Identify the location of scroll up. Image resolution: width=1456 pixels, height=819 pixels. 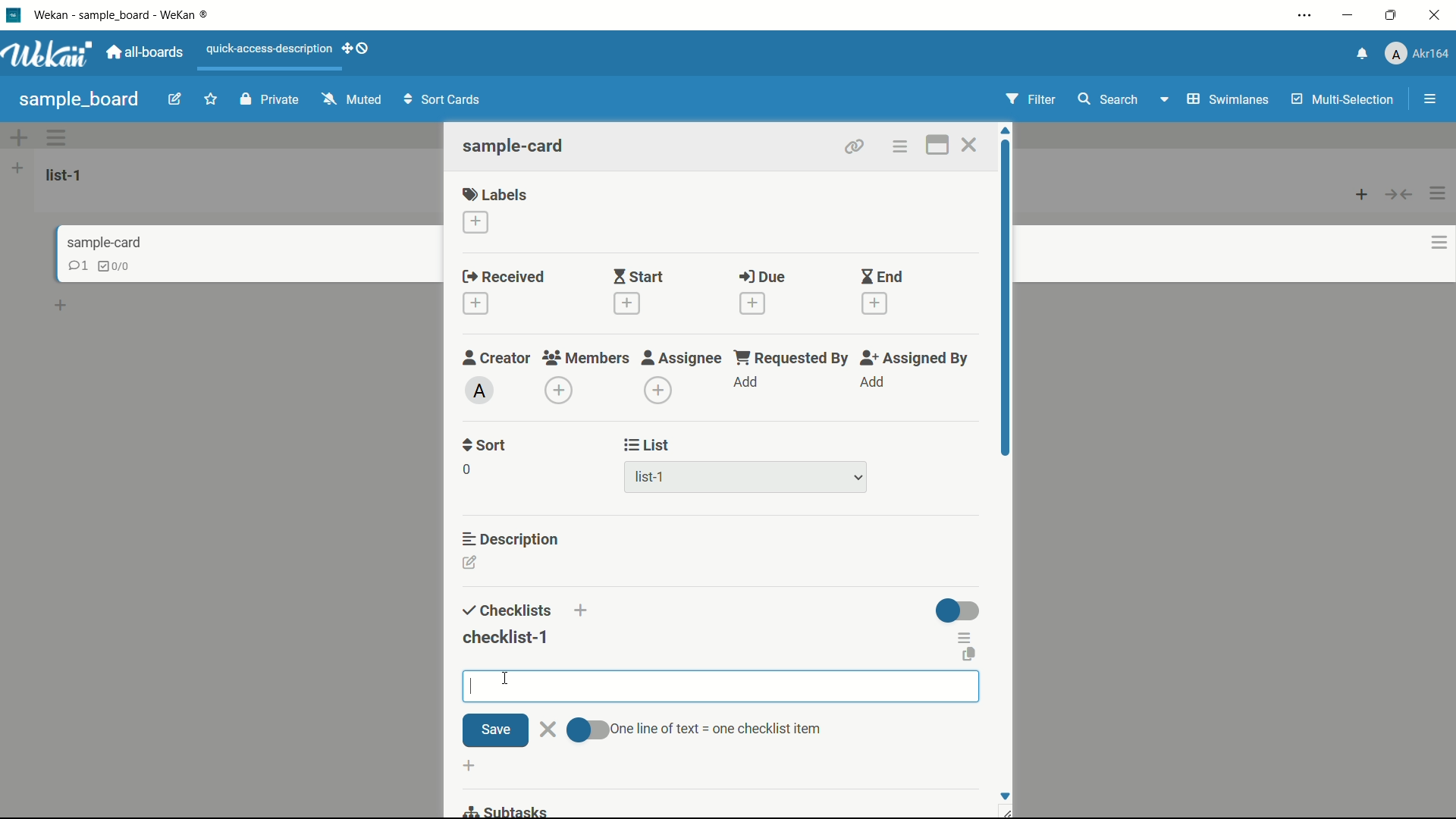
(1006, 129).